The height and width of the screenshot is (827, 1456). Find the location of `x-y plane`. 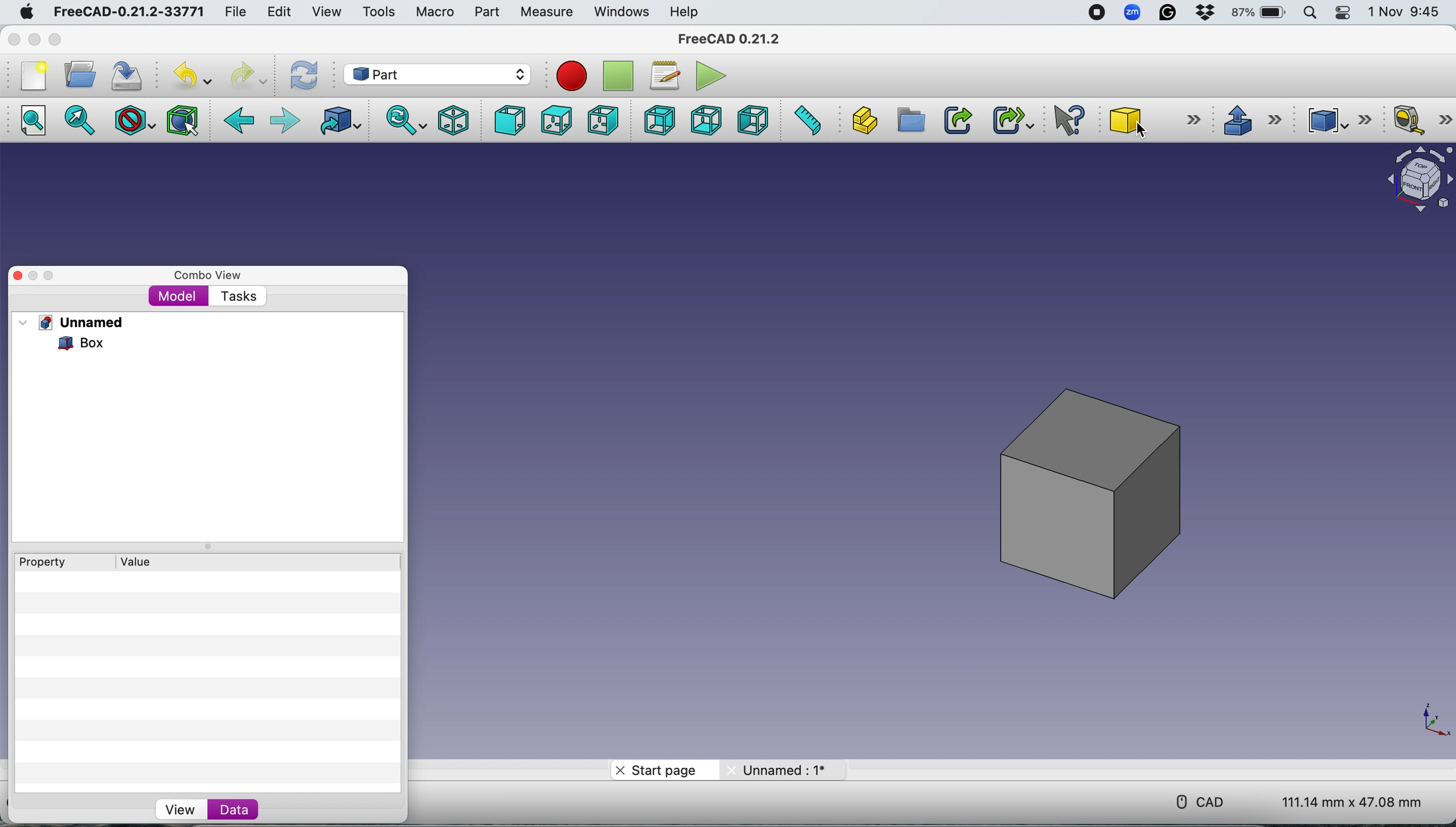

x-y plane is located at coordinates (1433, 719).